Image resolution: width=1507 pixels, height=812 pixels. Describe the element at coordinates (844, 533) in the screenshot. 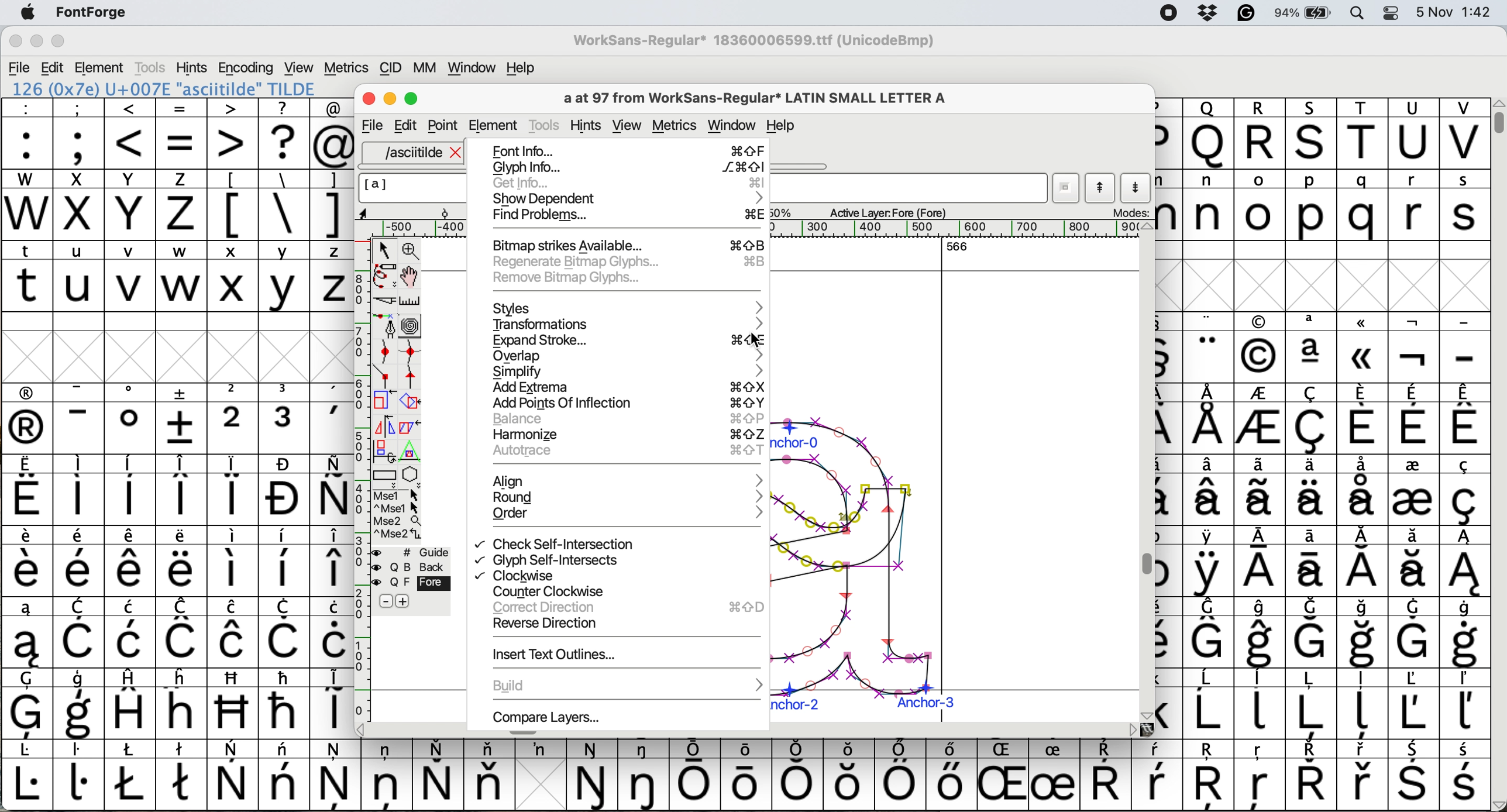

I see `glyph copied and pasted` at that location.